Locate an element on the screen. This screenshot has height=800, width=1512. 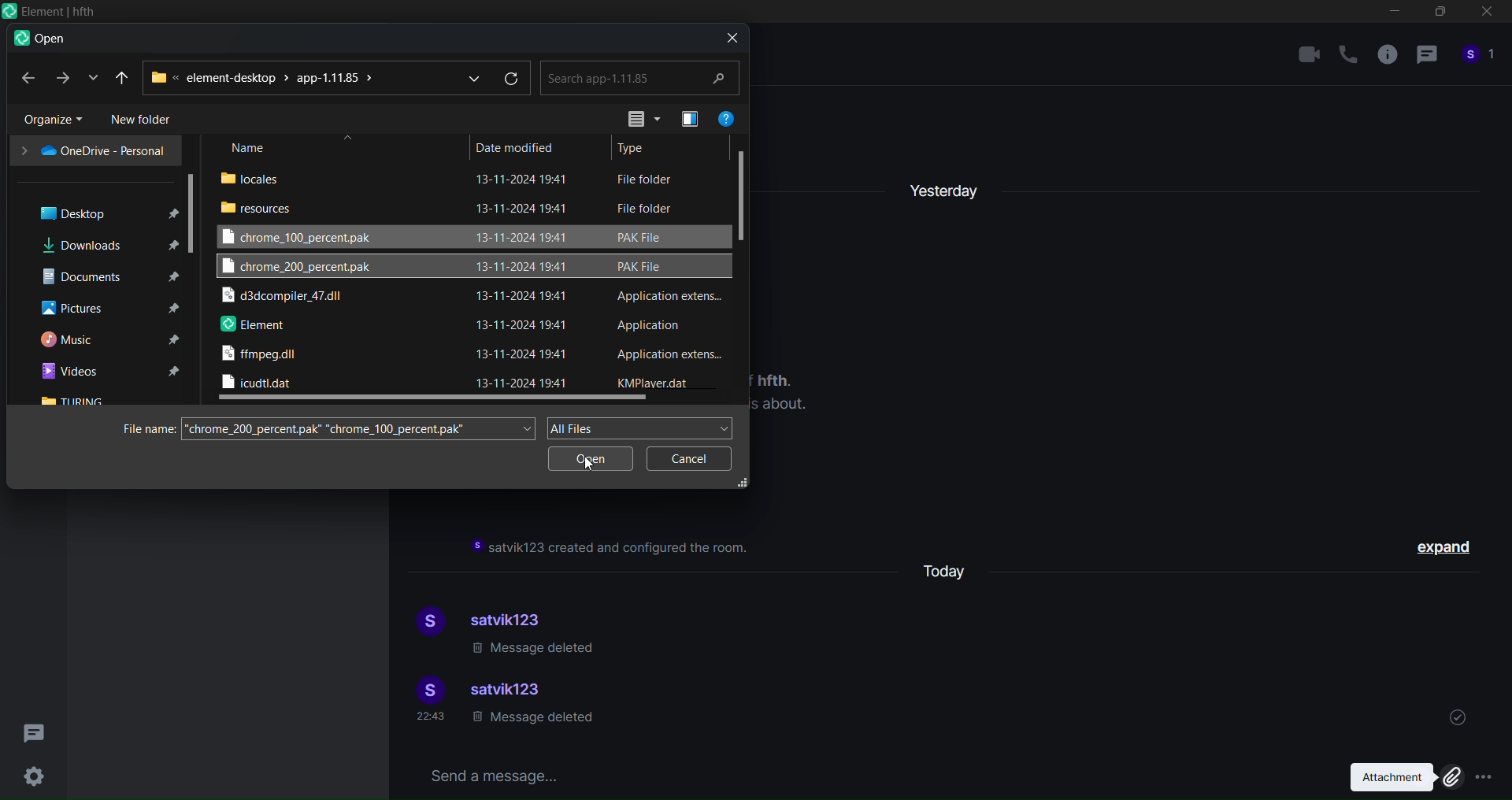
d3 dll is located at coordinates (286, 298).